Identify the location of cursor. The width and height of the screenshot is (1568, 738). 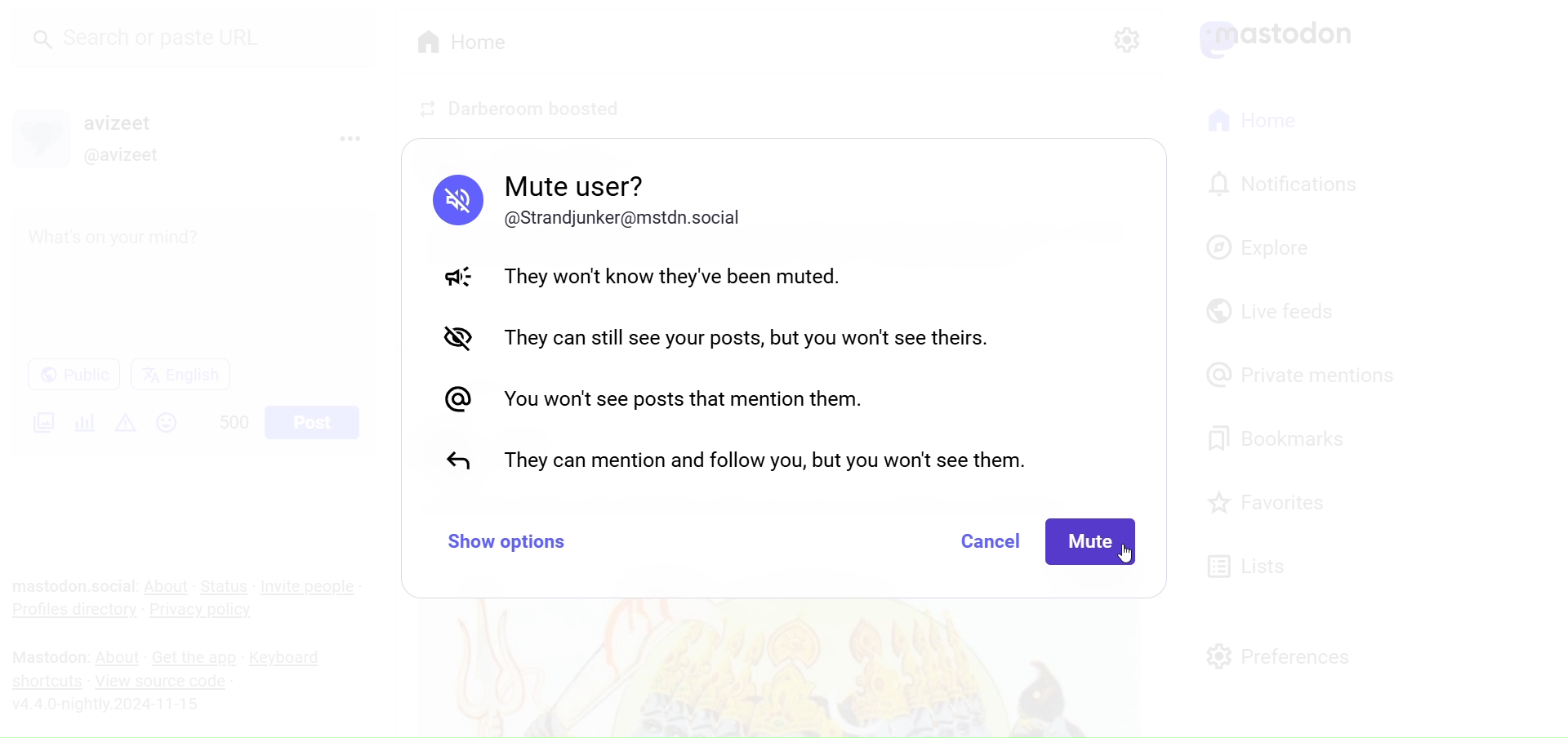
(1149, 559).